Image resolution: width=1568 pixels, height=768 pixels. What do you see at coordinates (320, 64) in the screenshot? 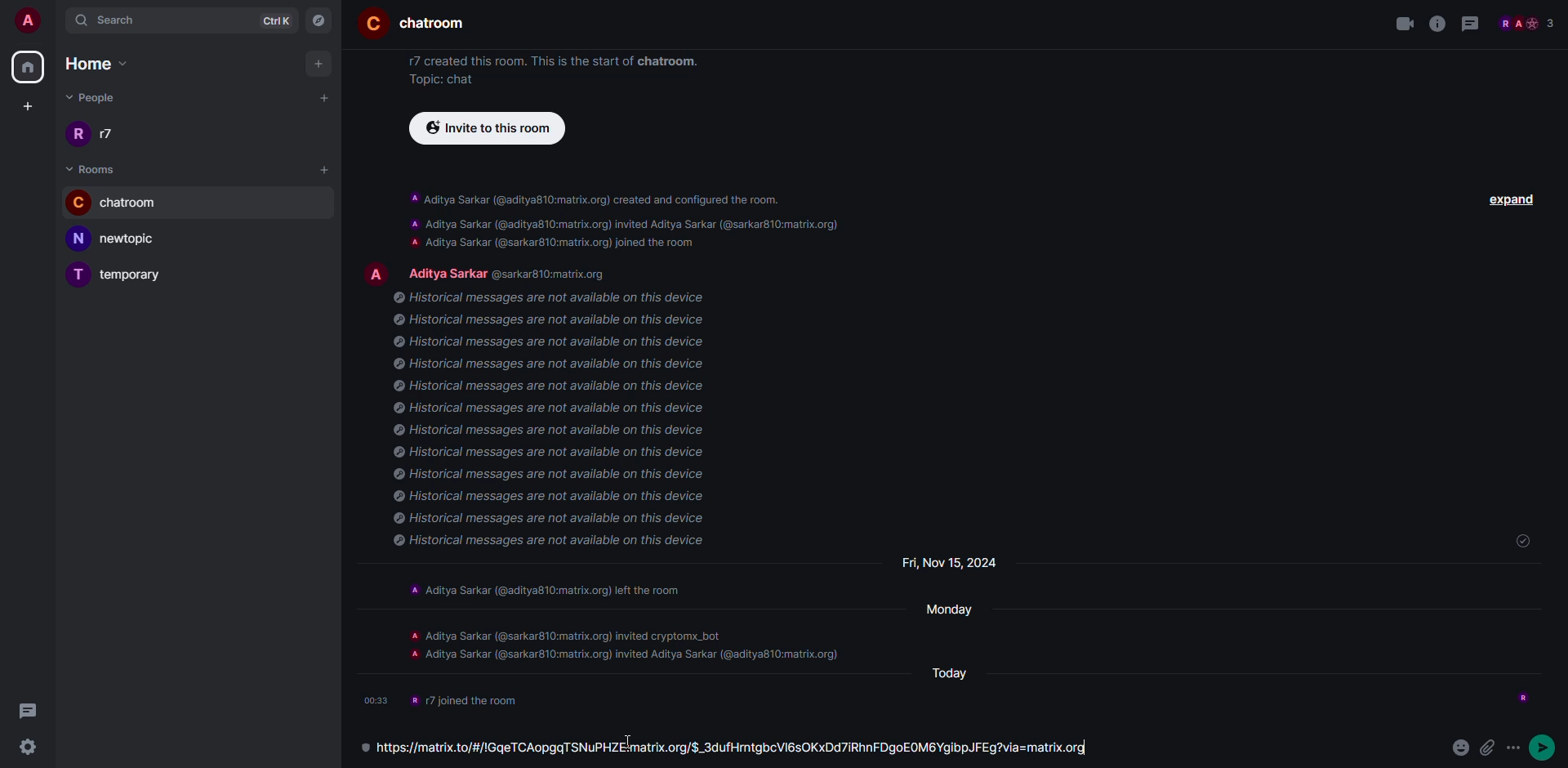
I see `add` at bounding box center [320, 64].